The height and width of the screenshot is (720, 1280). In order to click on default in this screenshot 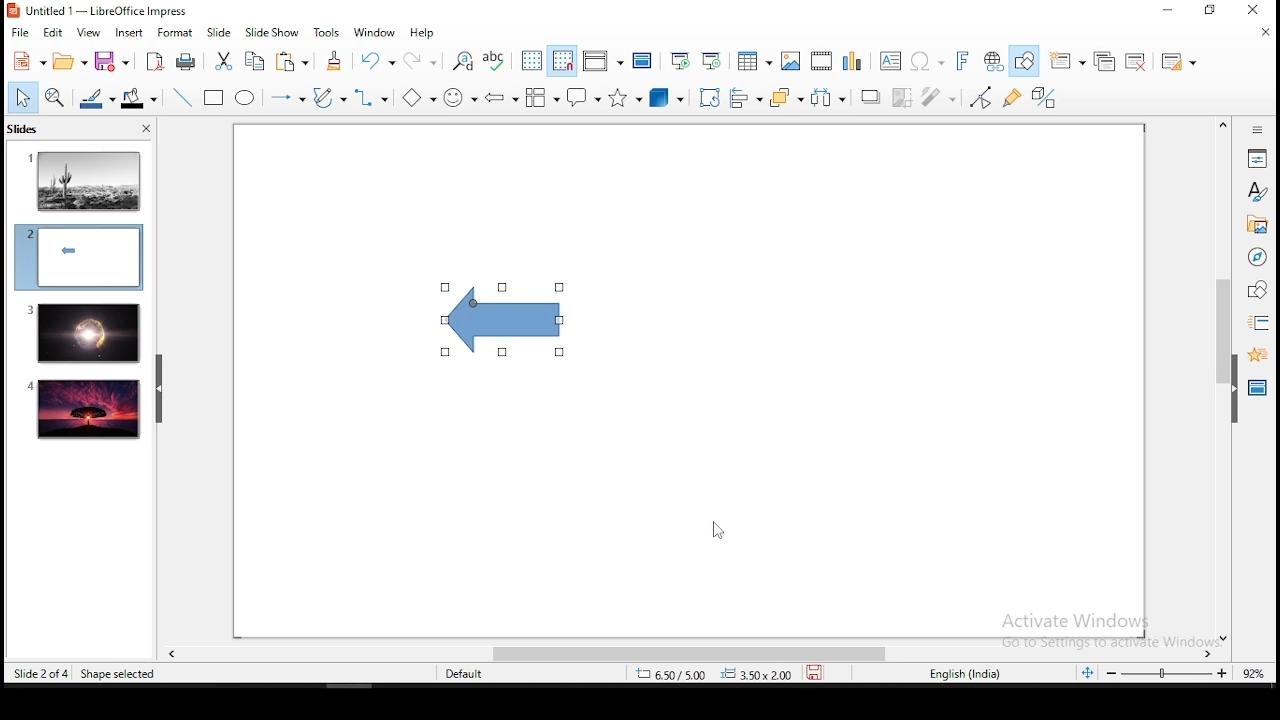, I will do `click(465, 675)`.